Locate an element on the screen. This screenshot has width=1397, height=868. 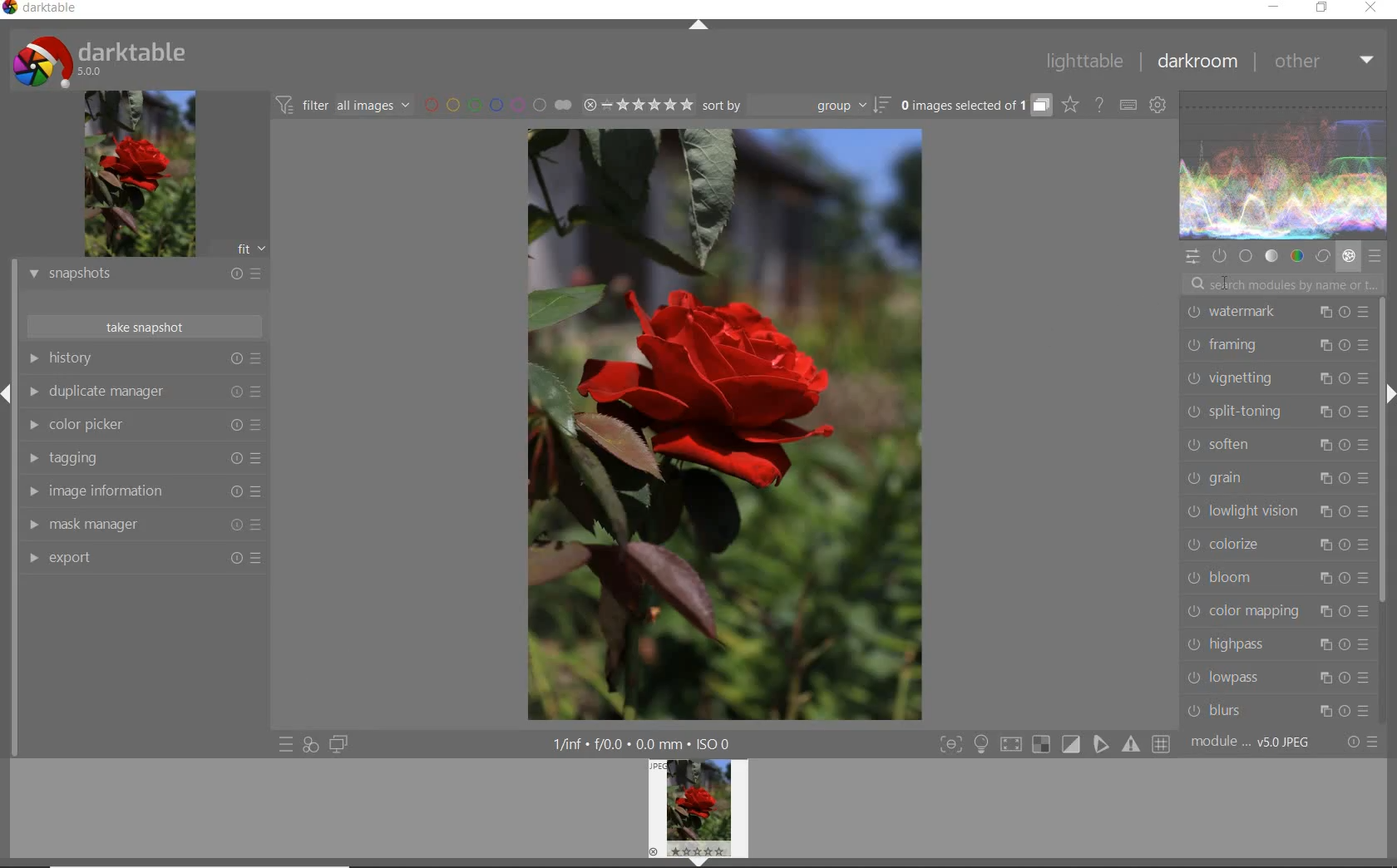
expand/collapse is located at coordinates (702, 27).